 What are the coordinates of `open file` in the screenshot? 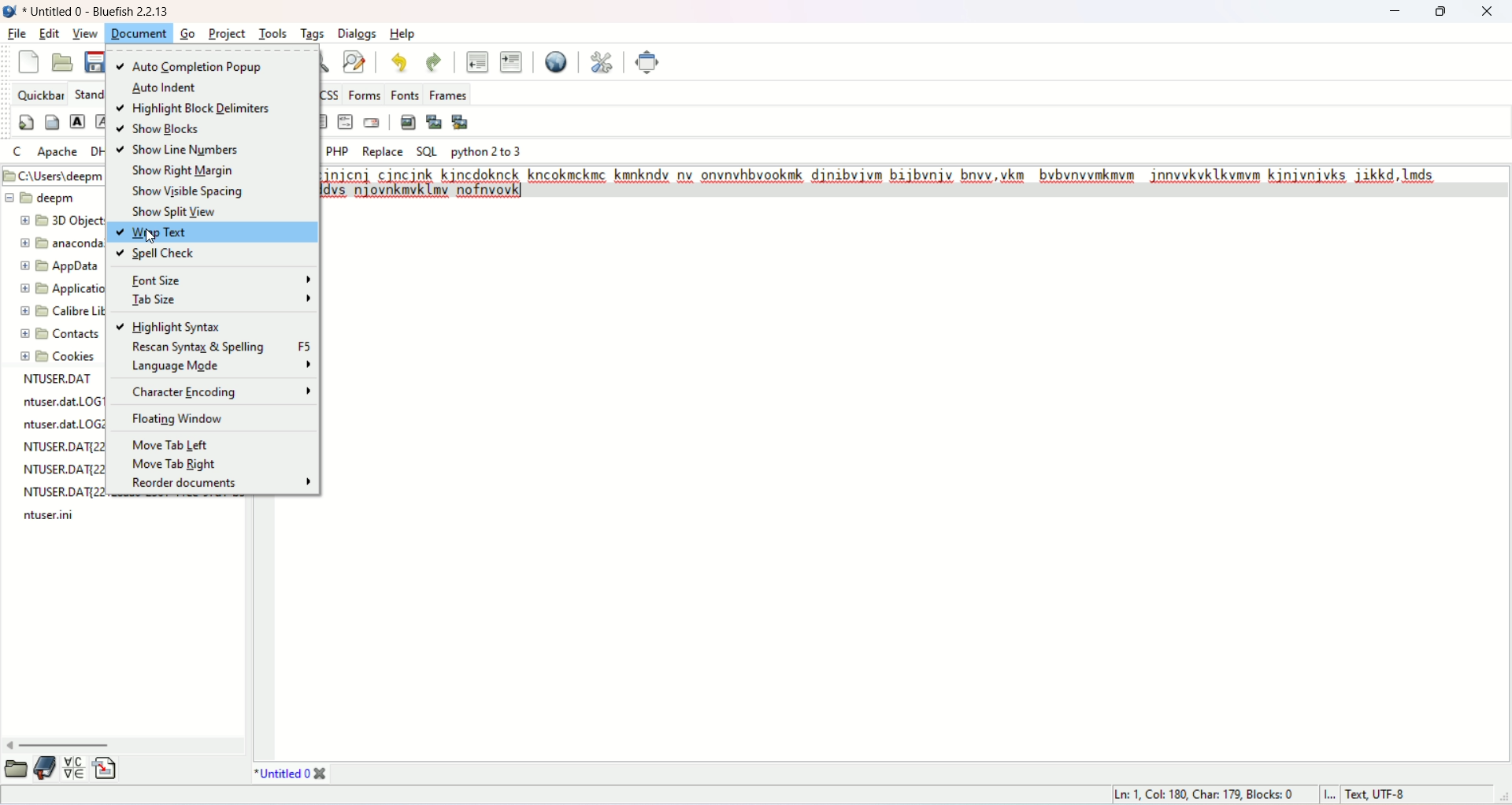 It's located at (61, 61).